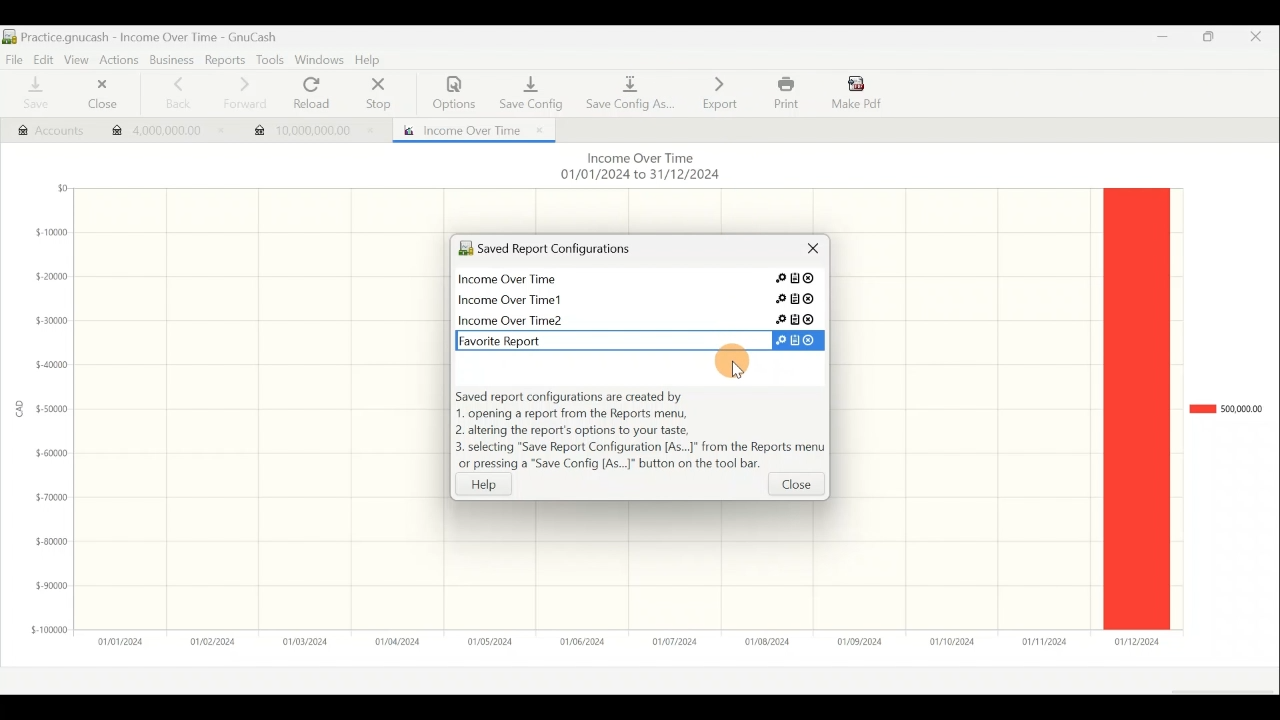 The height and width of the screenshot is (720, 1280). Describe the element at coordinates (784, 93) in the screenshot. I see `Print` at that location.